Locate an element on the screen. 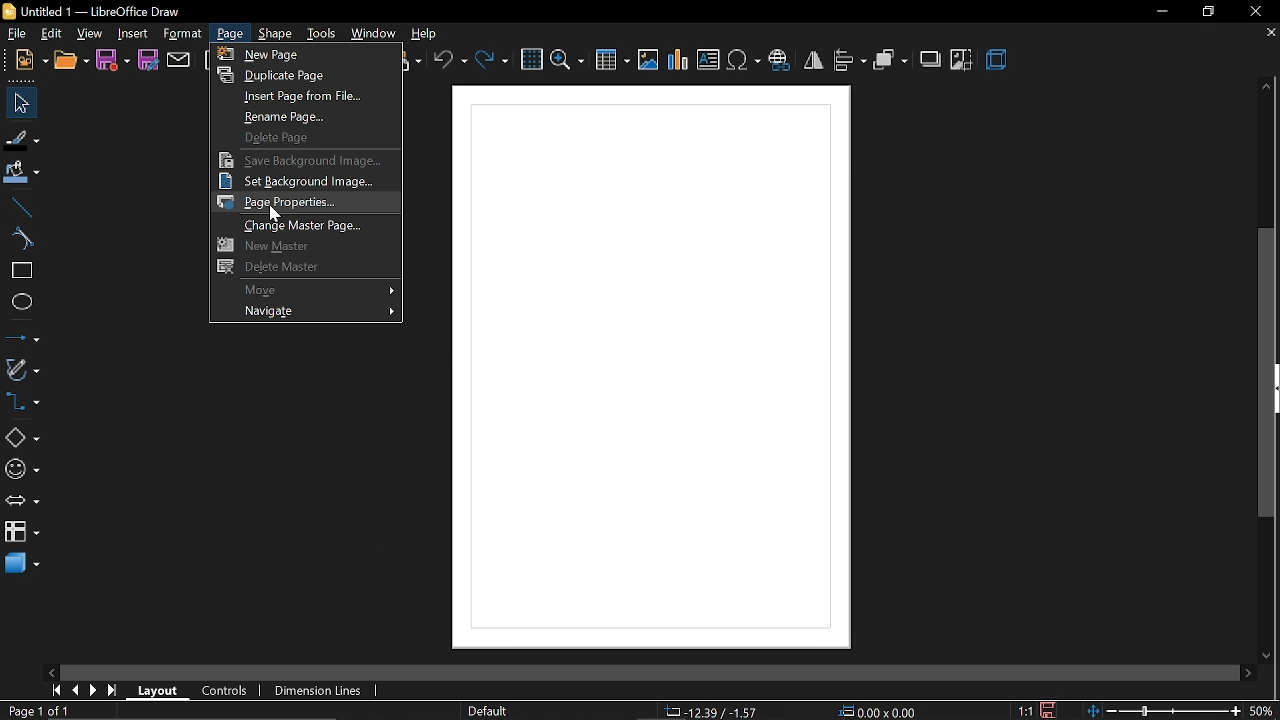  zoom is located at coordinates (567, 60).